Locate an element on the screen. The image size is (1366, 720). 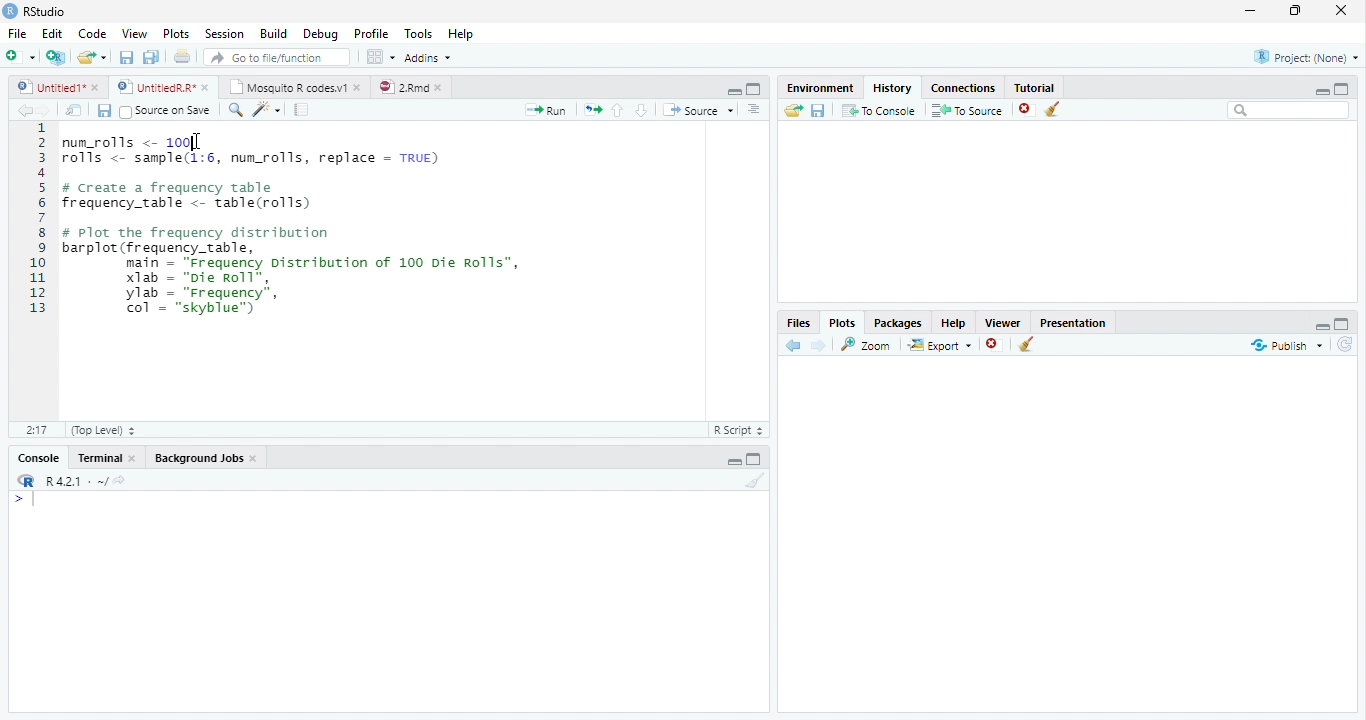
Session is located at coordinates (225, 33).